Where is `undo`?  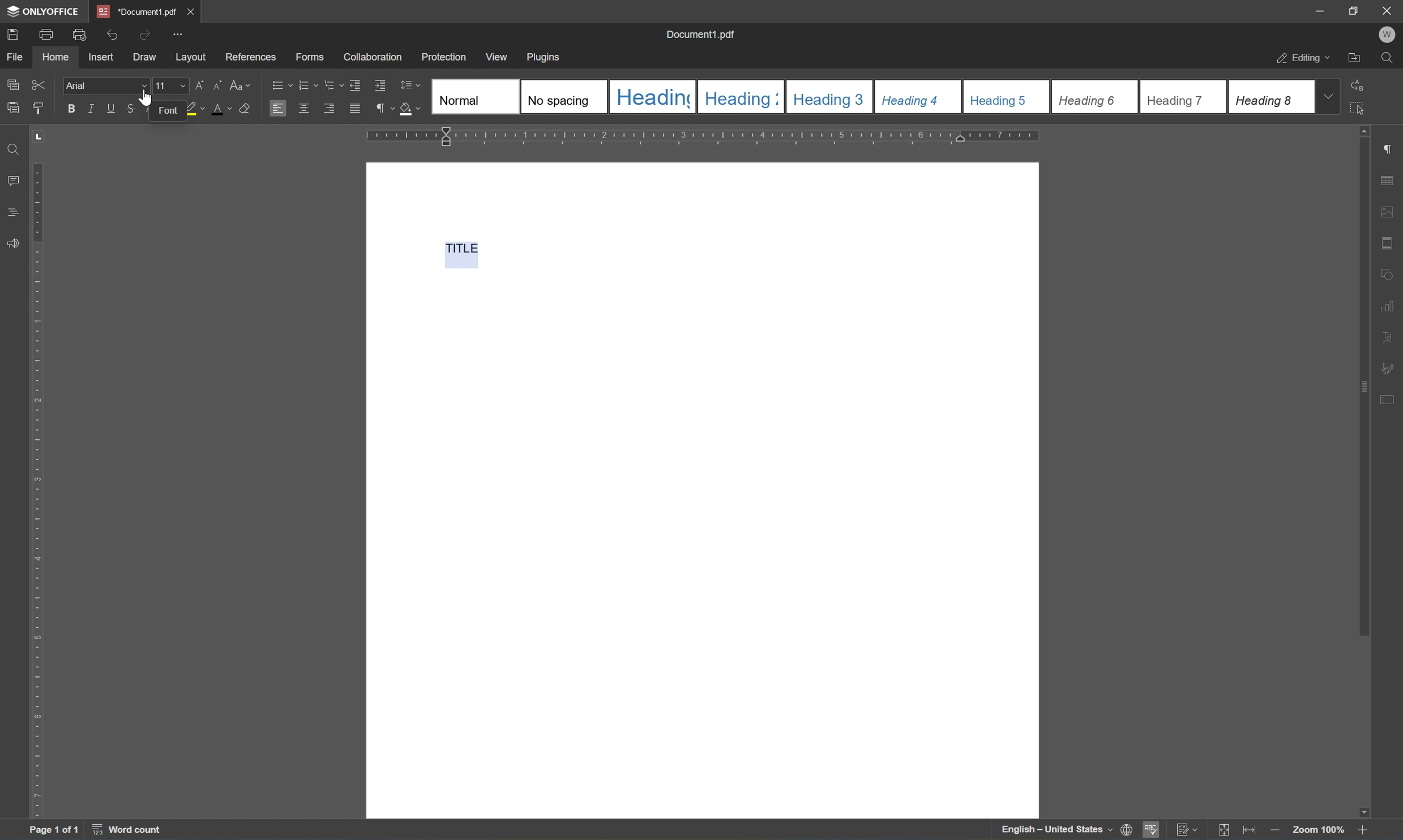
undo is located at coordinates (113, 36).